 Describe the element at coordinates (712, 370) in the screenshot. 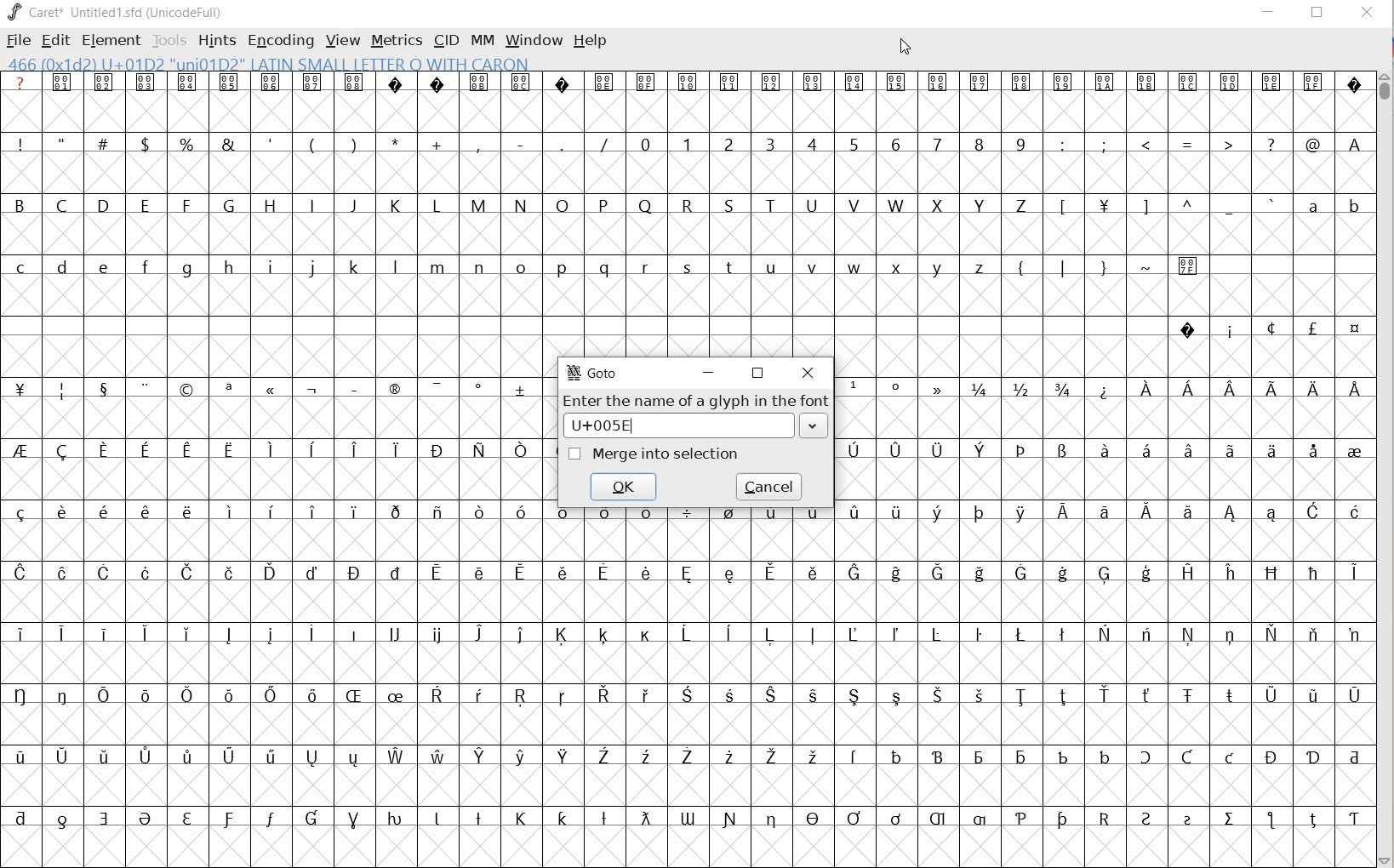

I see `MINIMIZE` at that location.